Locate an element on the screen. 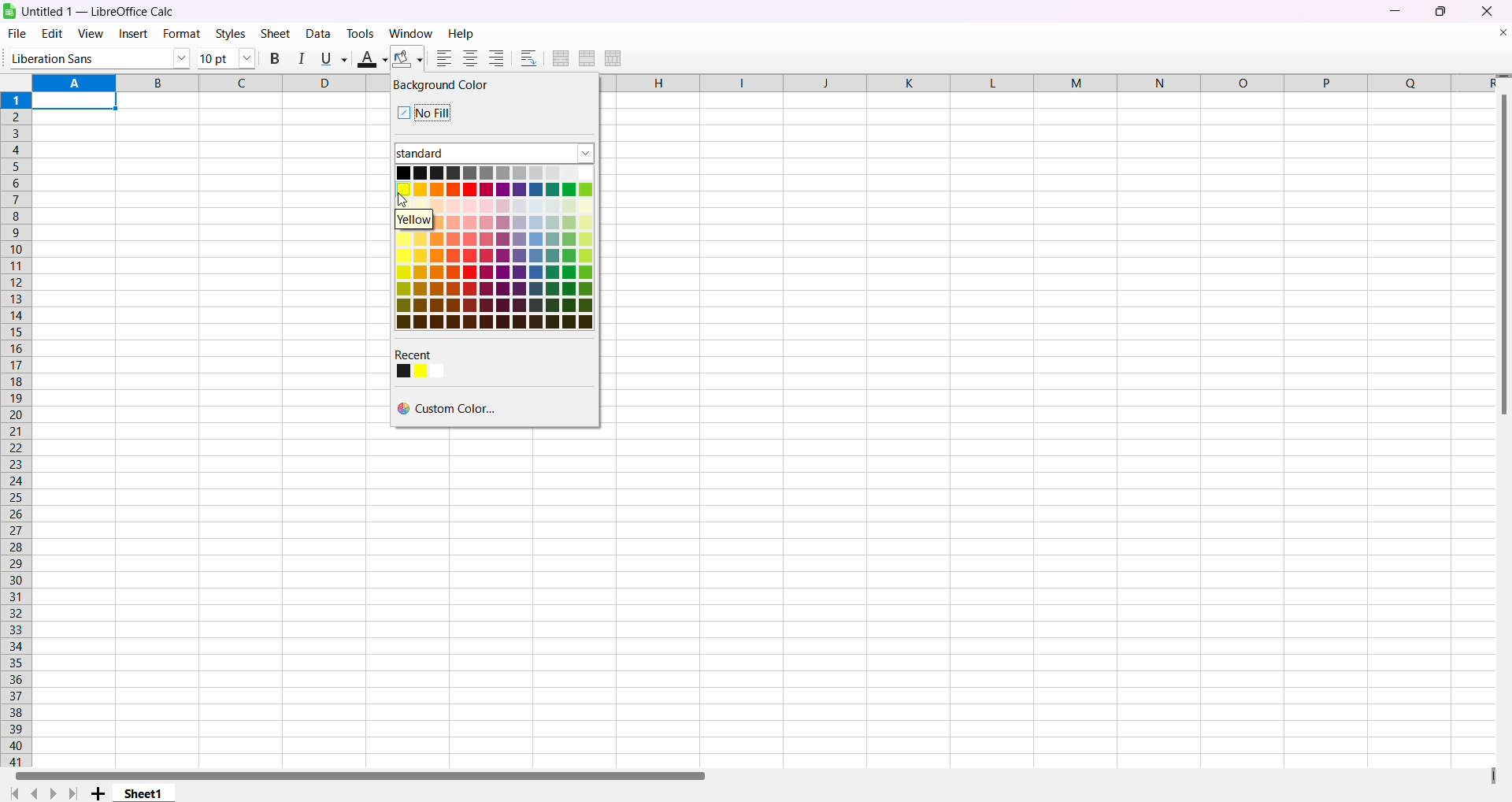  recent color is located at coordinates (430, 362).